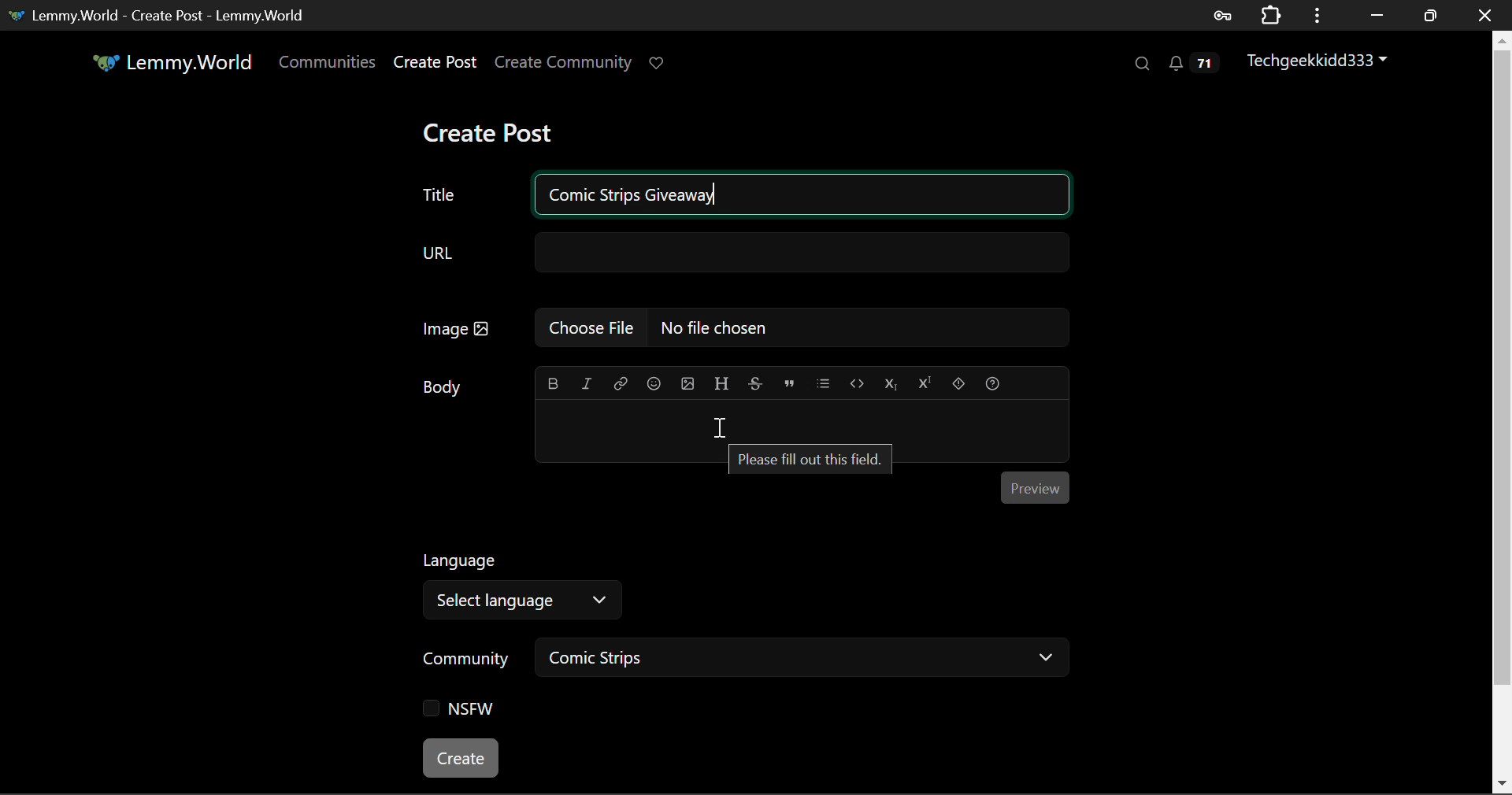 The width and height of the screenshot is (1512, 795). What do you see at coordinates (721, 381) in the screenshot?
I see `header` at bounding box center [721, 381].